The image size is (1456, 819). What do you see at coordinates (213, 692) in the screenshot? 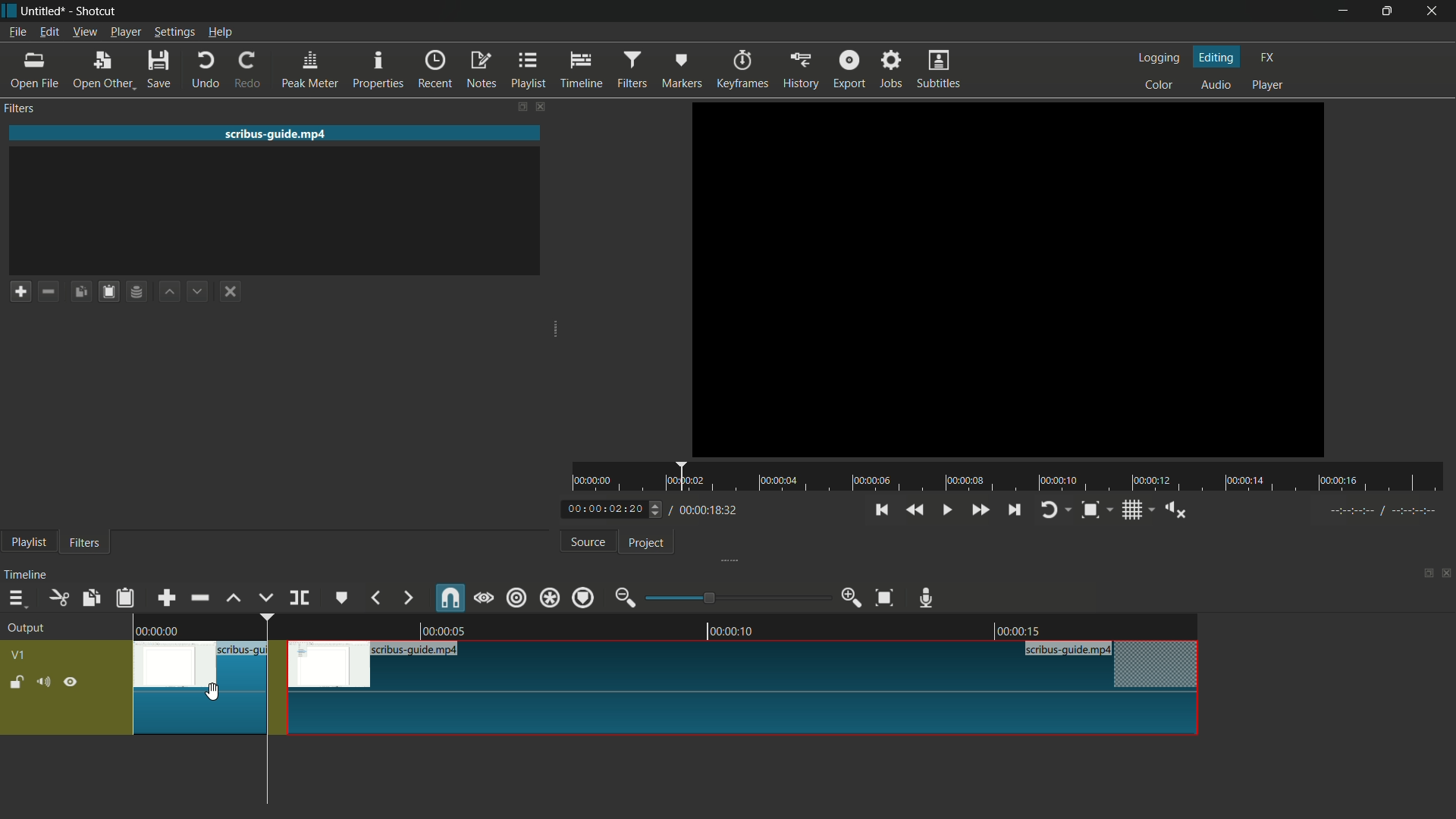
I see `cursor` at bounding box center [213, 692].